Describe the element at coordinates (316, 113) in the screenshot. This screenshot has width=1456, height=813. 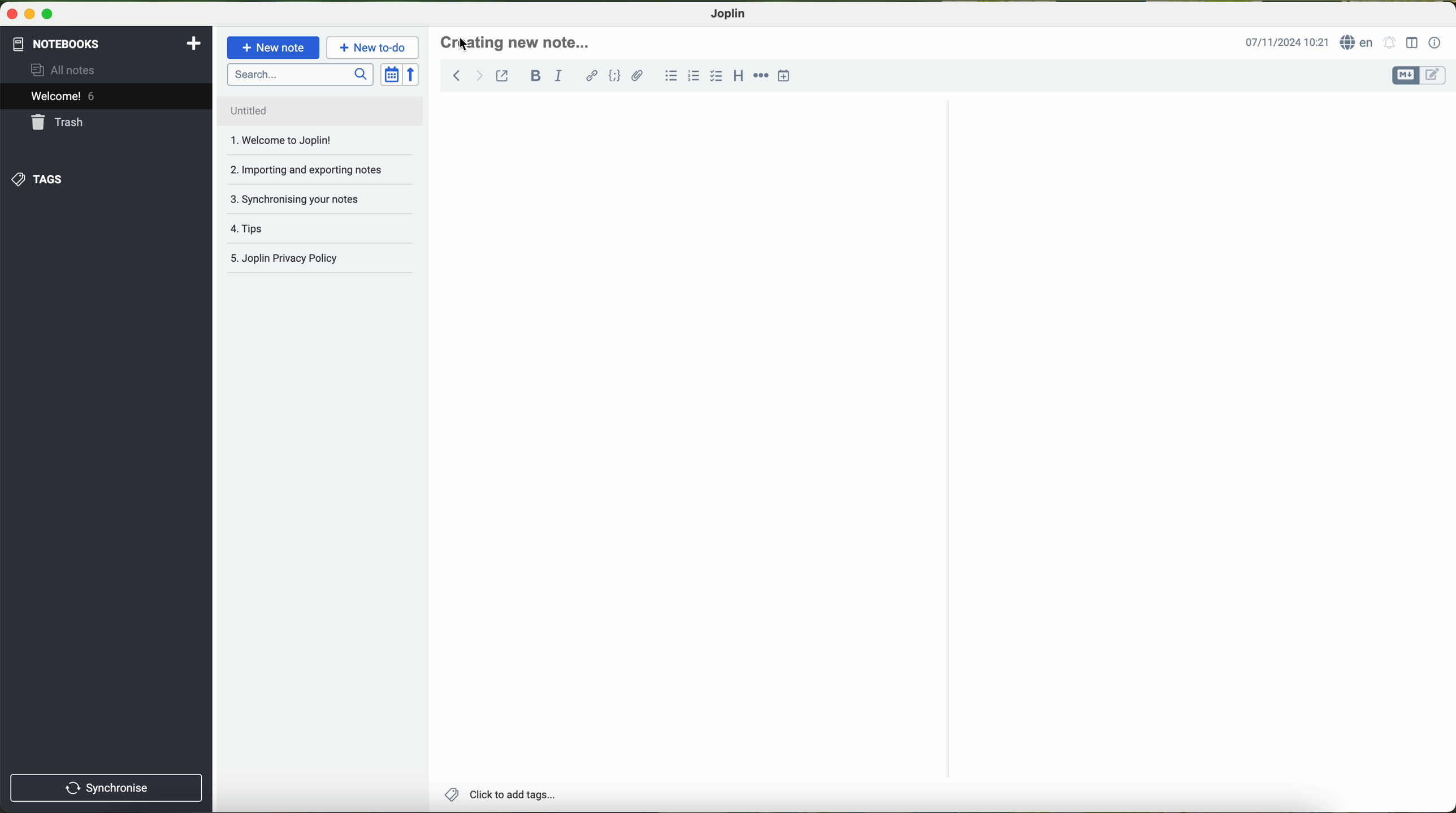
I see `untitled file` at that location.